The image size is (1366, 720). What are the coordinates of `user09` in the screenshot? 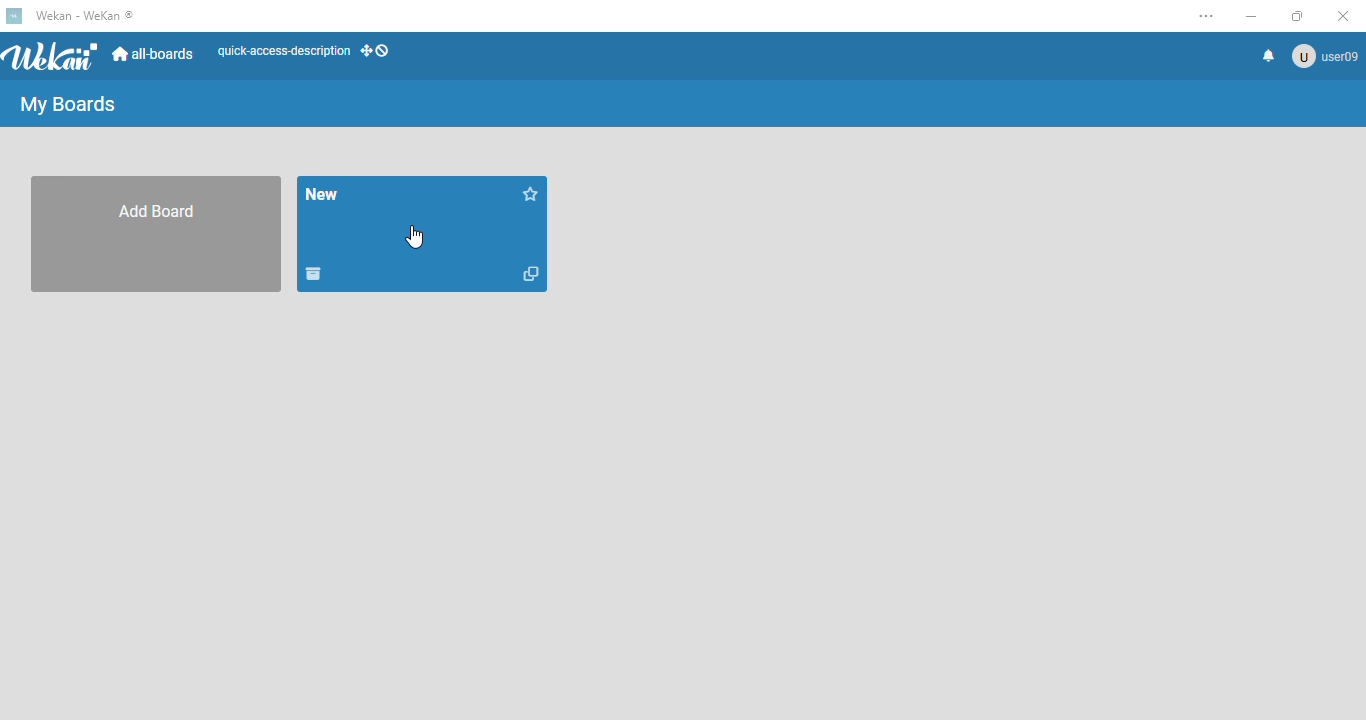 It's located at (1324, 56).